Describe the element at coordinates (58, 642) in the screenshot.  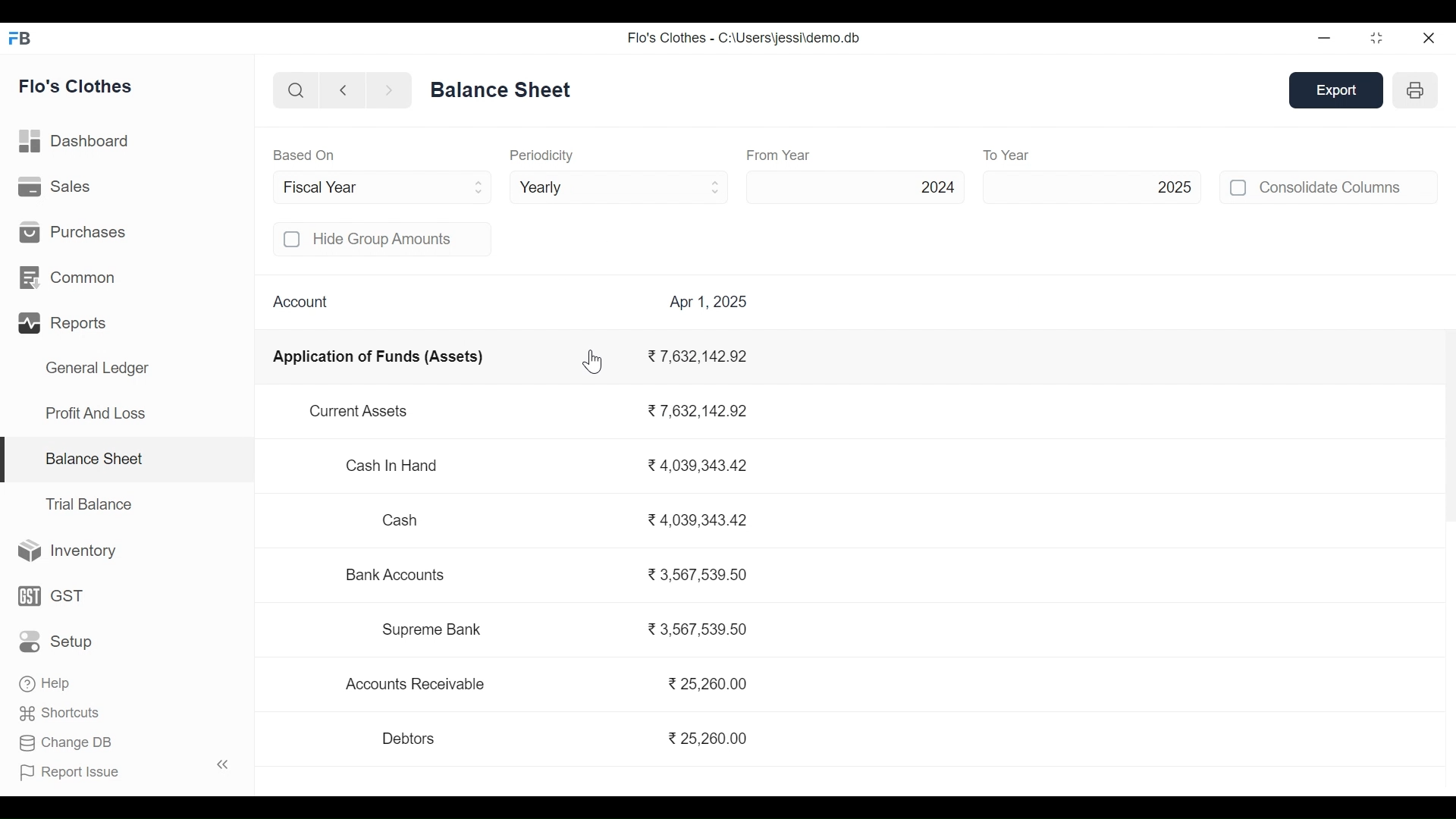
I see `setup` at that location.